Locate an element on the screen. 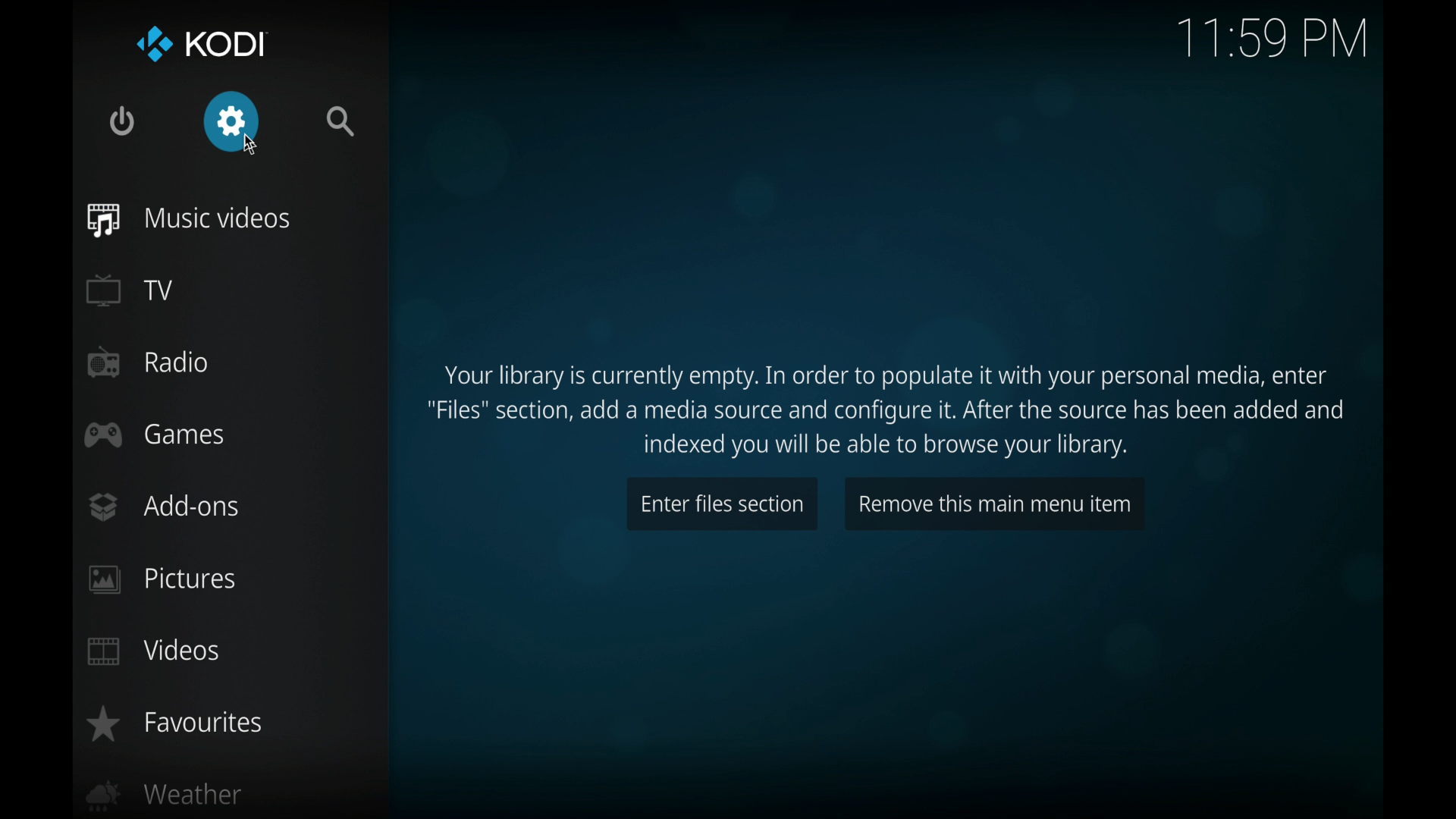  music videos is located at coordinates (191, 220).